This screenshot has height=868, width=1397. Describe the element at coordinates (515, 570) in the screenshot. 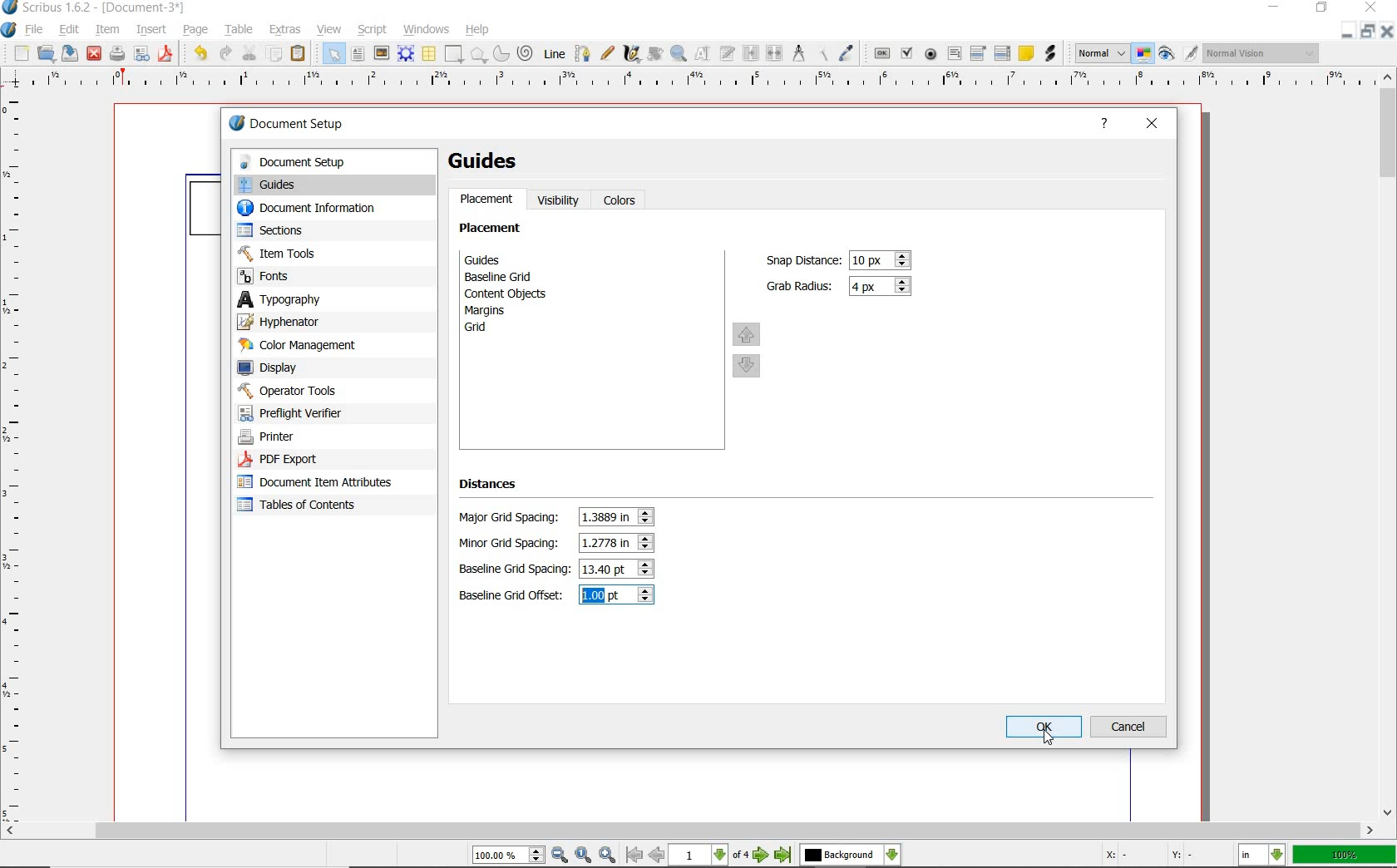

I see `Baseline Grid Spacing:` at that location.